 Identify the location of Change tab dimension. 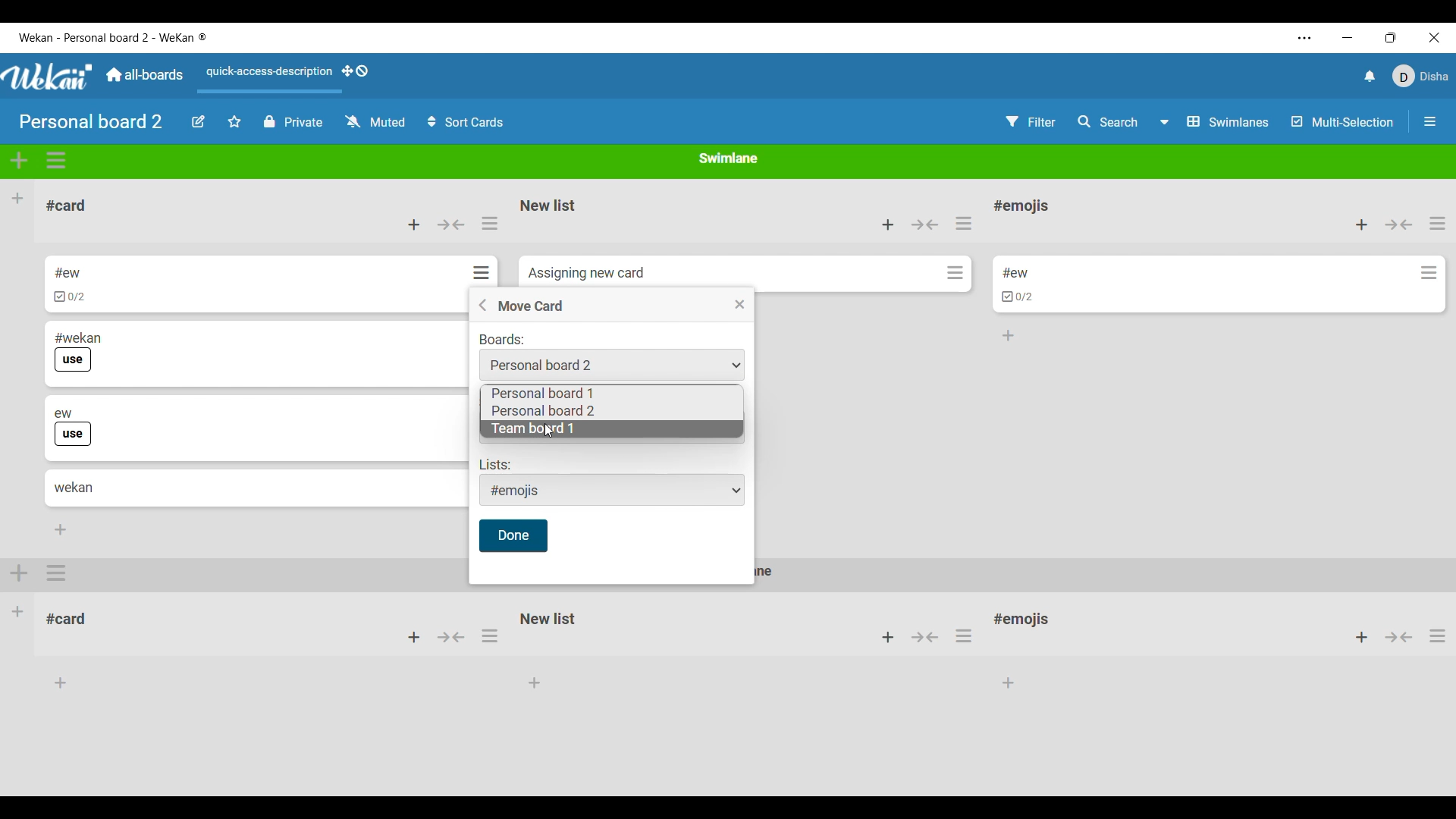
(1391, 37).